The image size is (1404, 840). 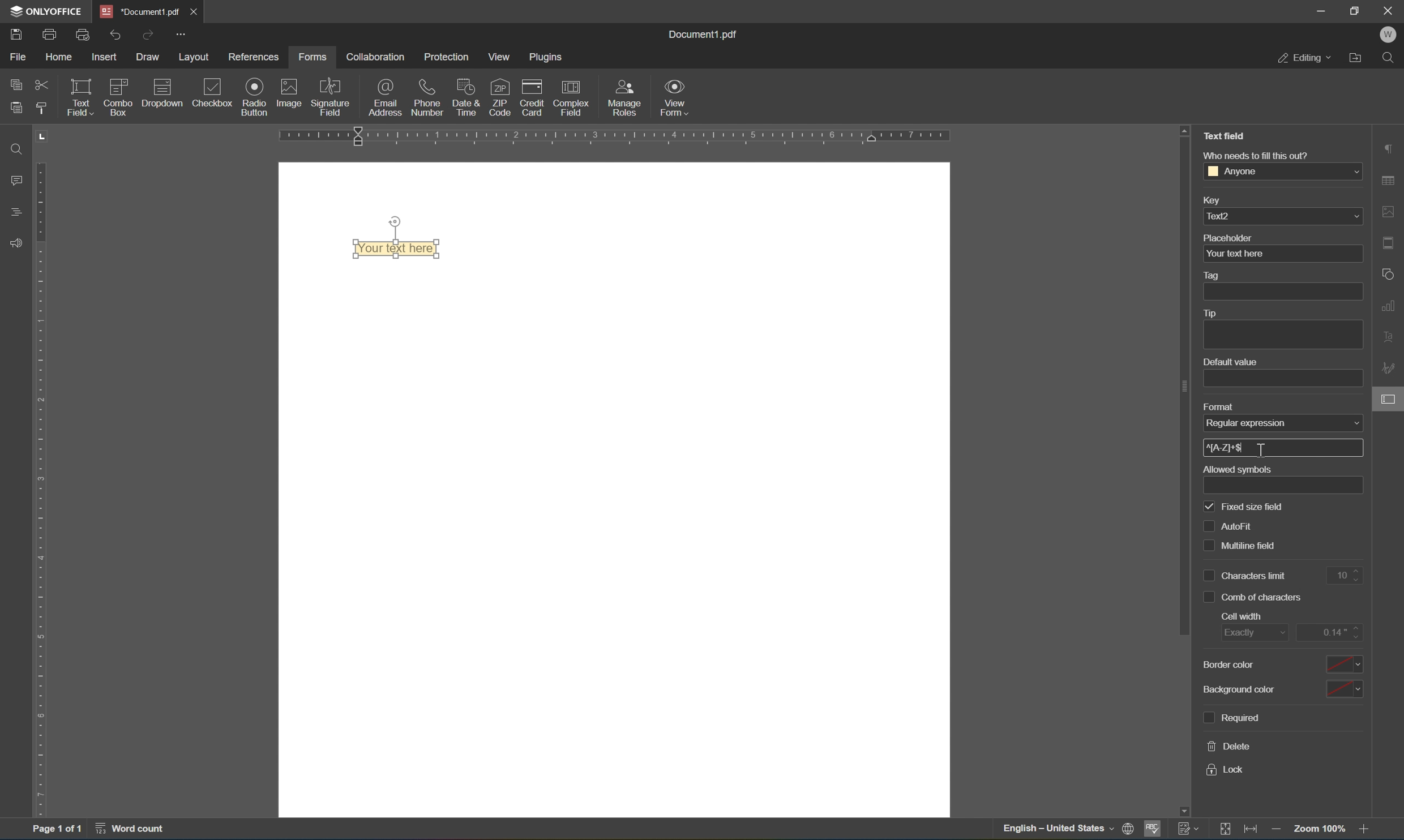 What do you see at coordinates (161, 96) in the screenshot?
I see `dropdown` at bounding box center [161, 96].